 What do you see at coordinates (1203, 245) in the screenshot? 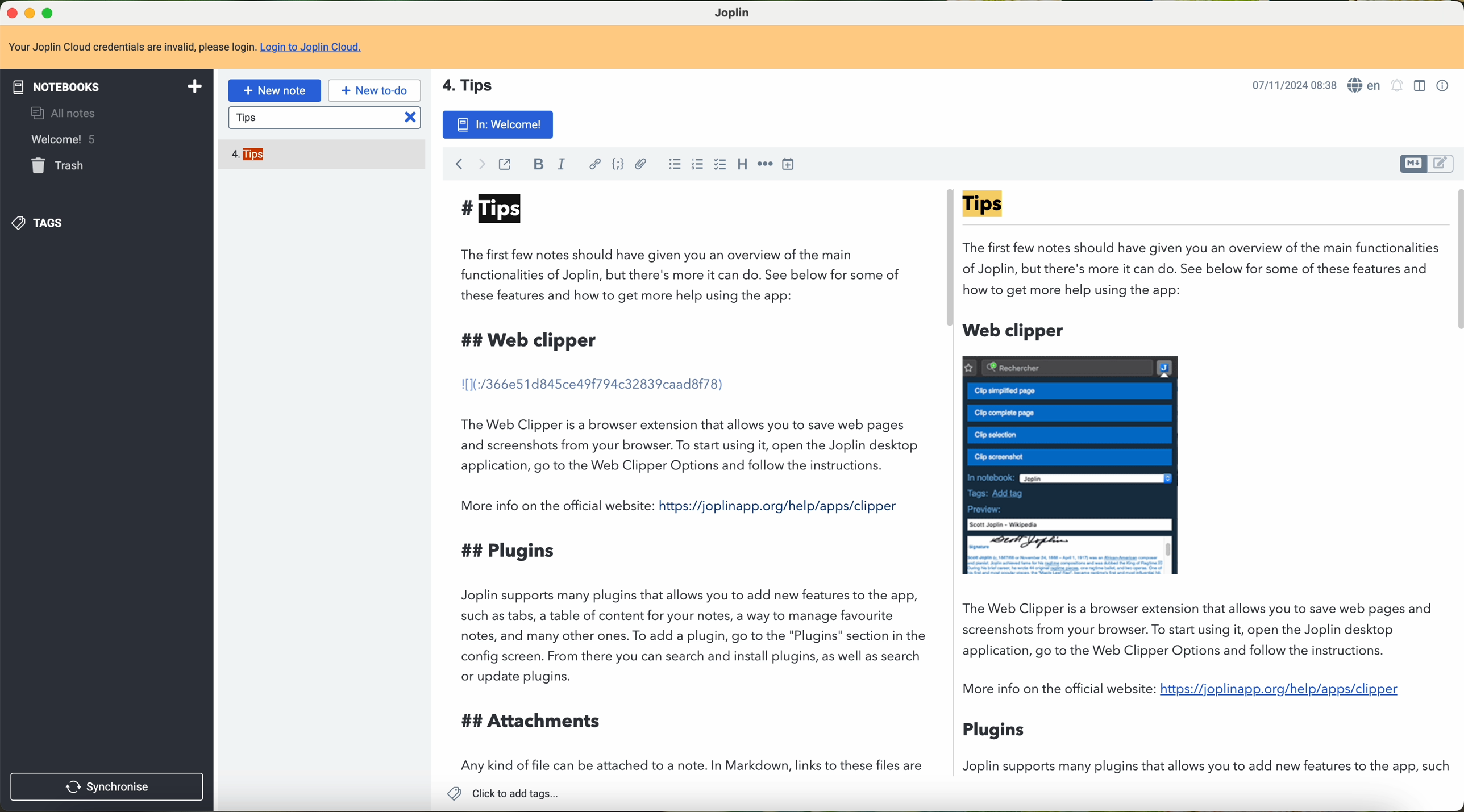
I see `The first few notes should have given you an overview of the main functionalities
of Joplin, but there's more it can do. See below for some of these features and
now to get more help using the app:` at bounding box center [1203, 245].